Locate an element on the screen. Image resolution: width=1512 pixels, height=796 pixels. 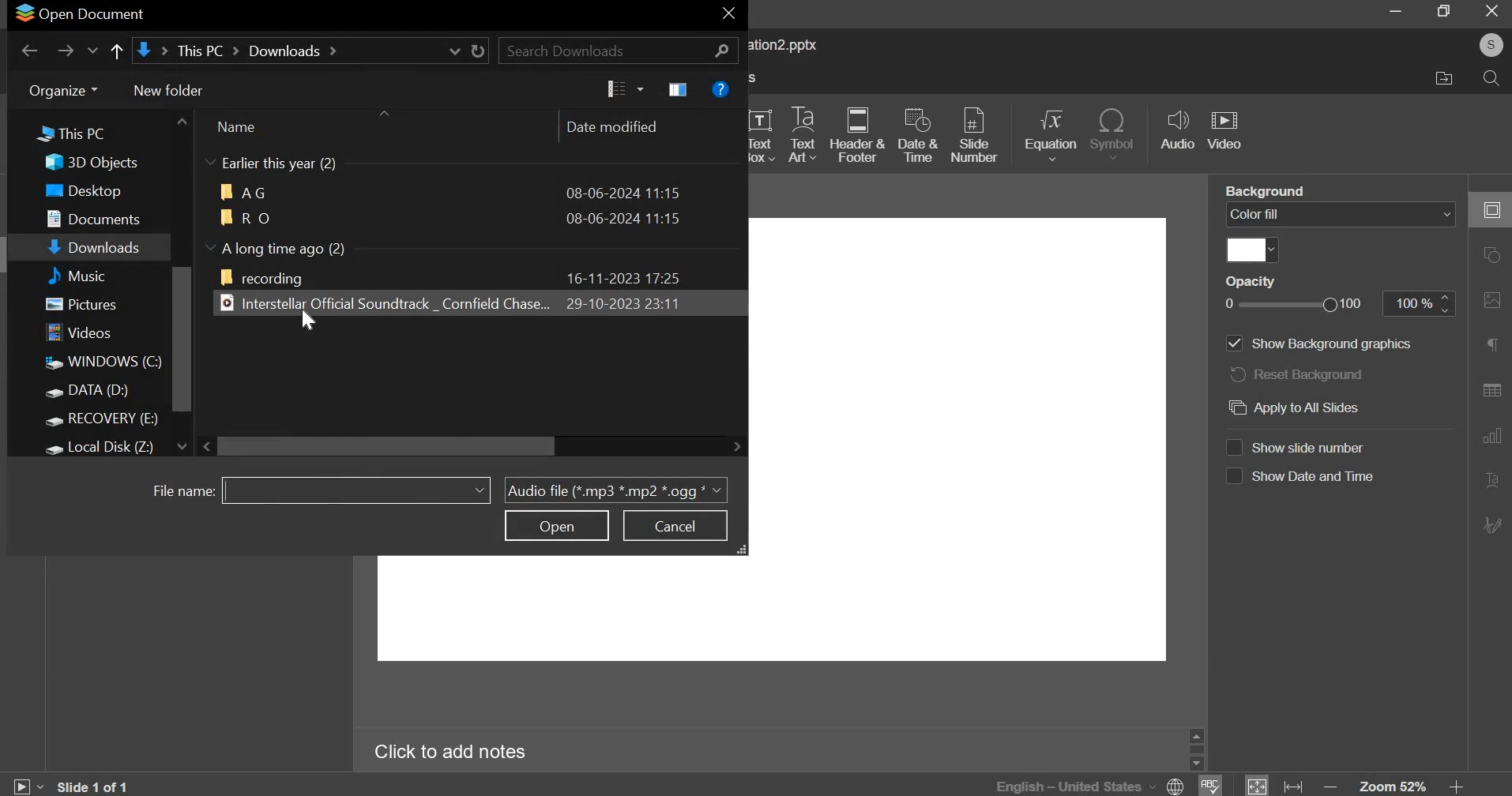
insert symbol is located at coordinates (1115, 133).